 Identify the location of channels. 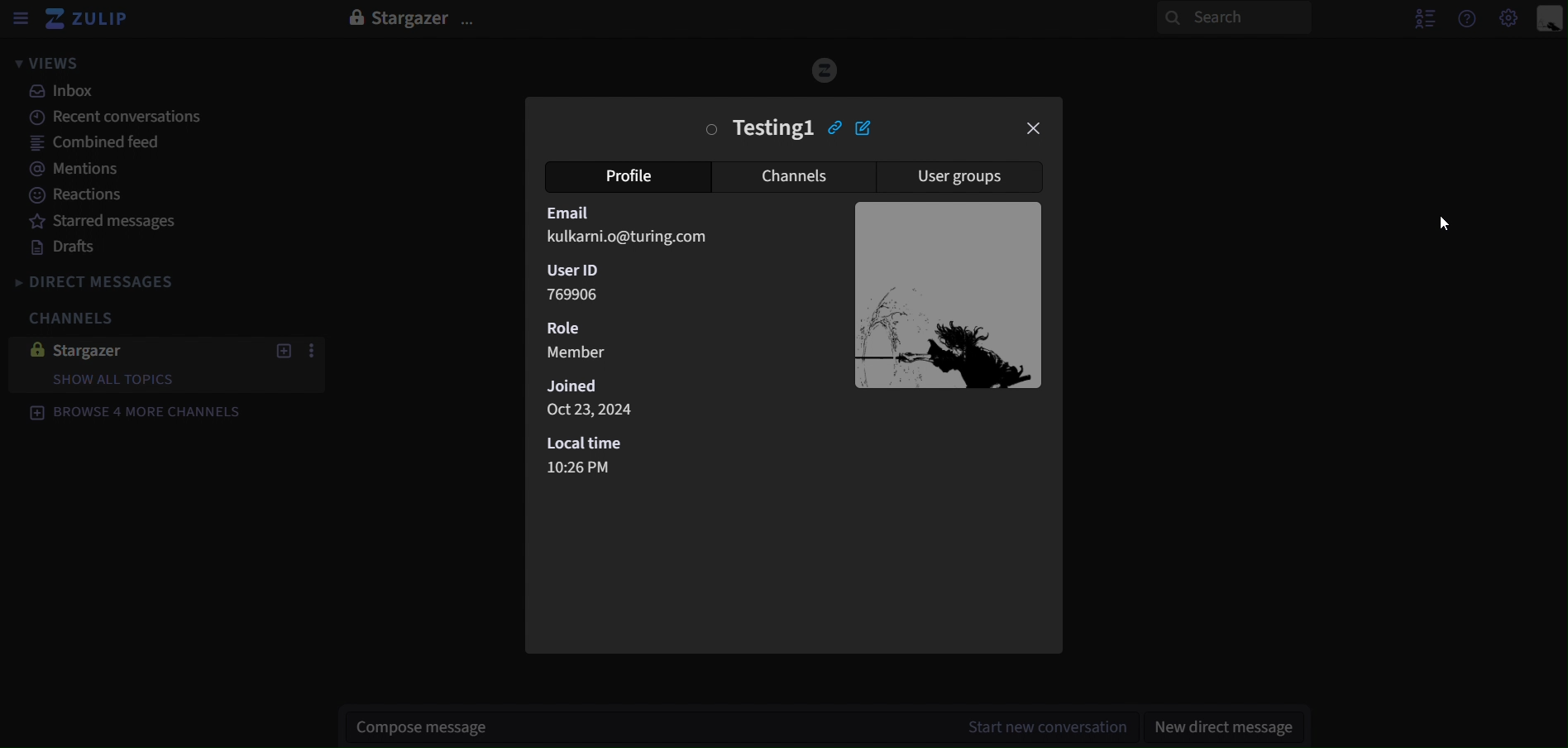
(798, 179).